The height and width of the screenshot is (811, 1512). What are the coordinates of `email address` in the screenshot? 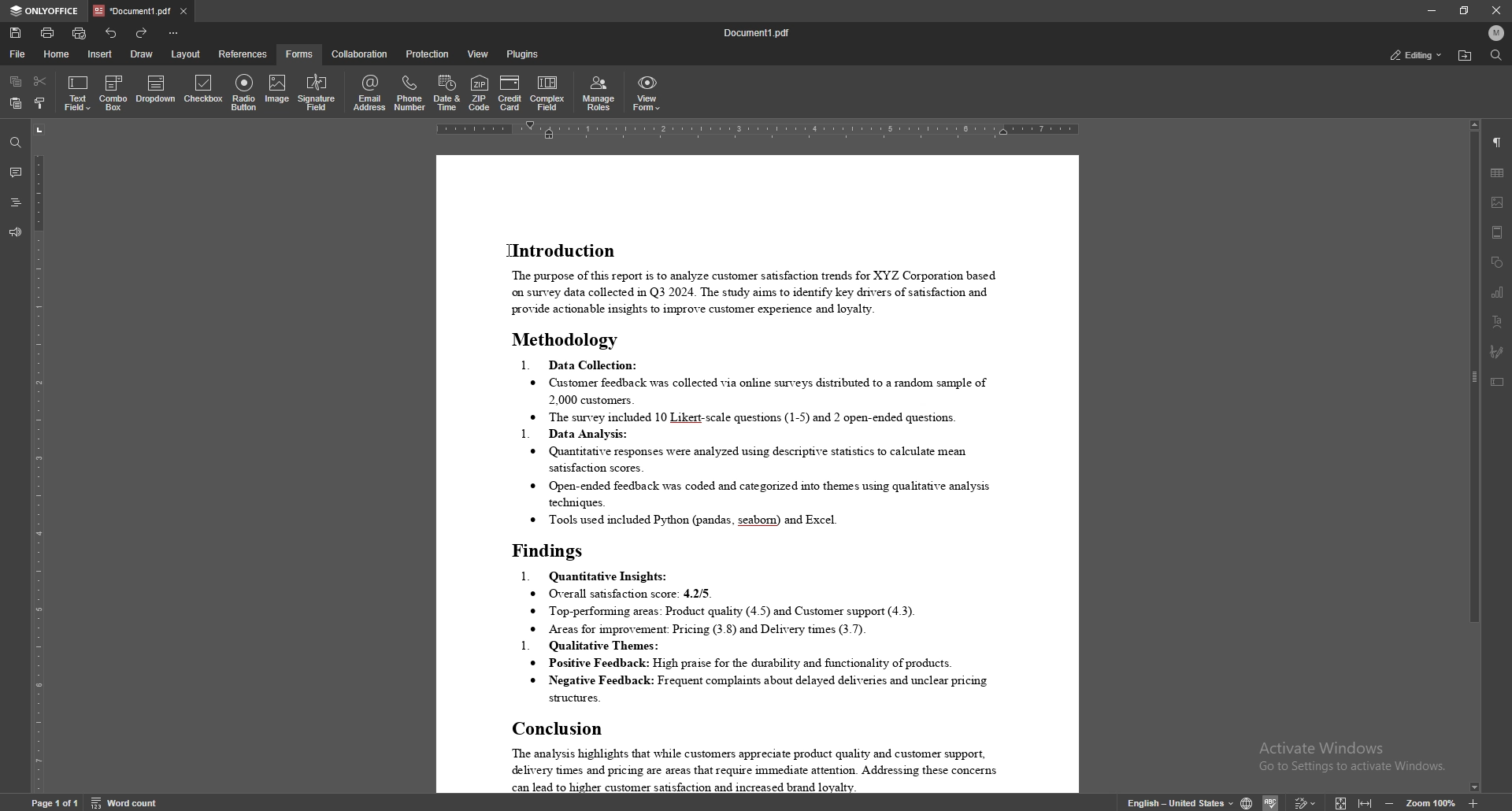 It's located at (371, 92).